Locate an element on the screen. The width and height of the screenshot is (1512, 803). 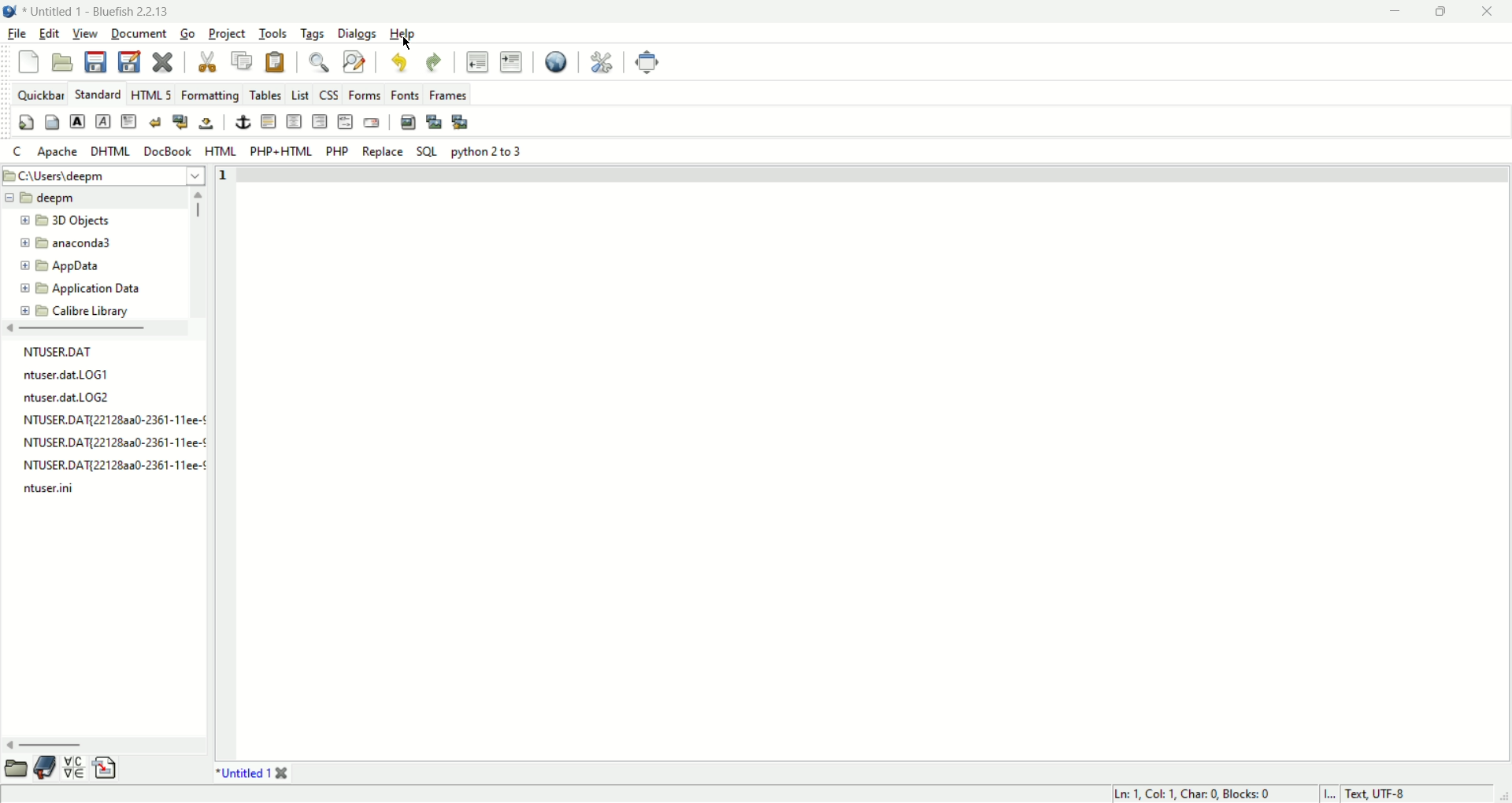
multi thumbnail is located at coordinates (463, 123).